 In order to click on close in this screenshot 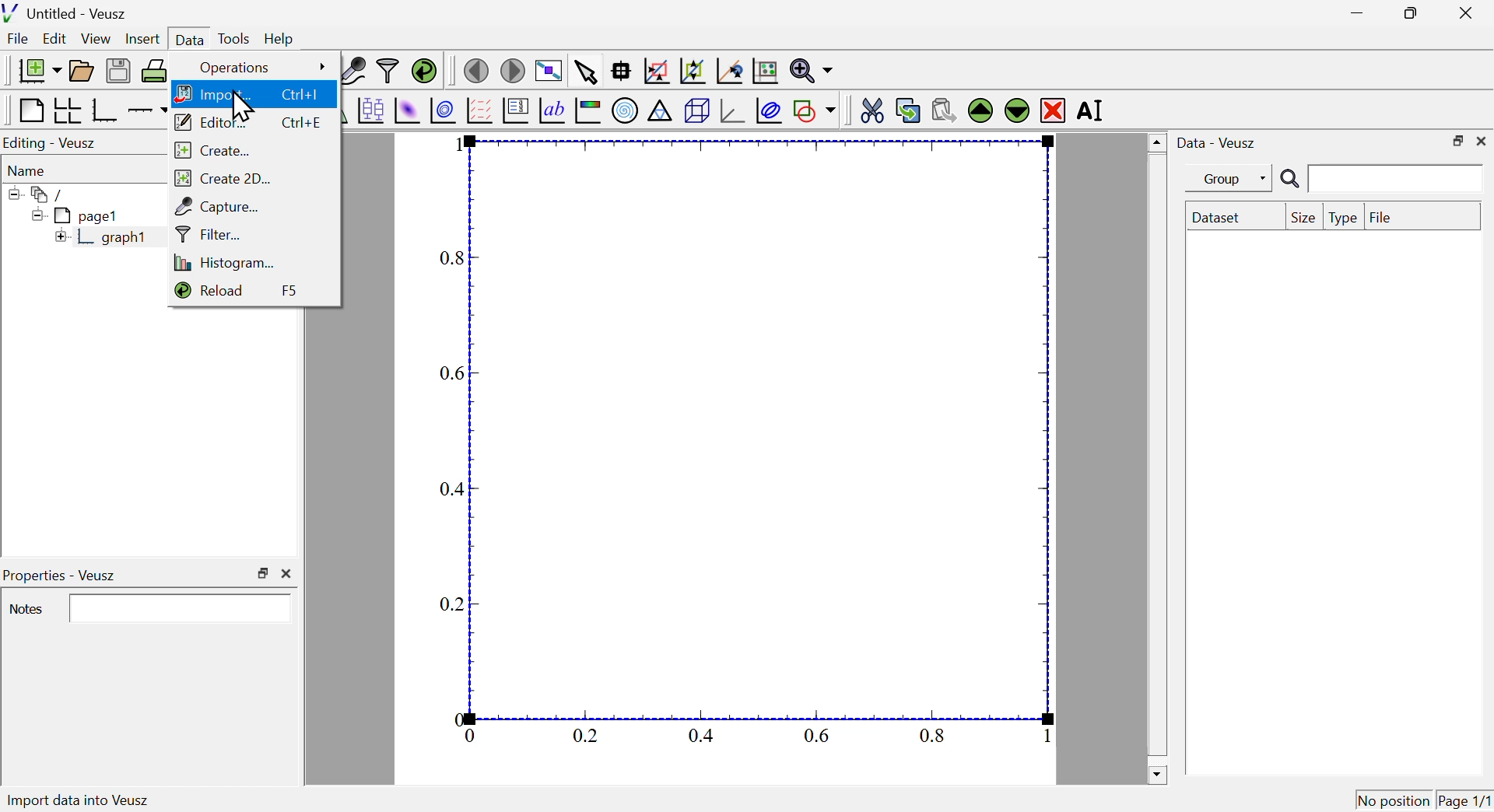, I will do `click(1482, 141)`.